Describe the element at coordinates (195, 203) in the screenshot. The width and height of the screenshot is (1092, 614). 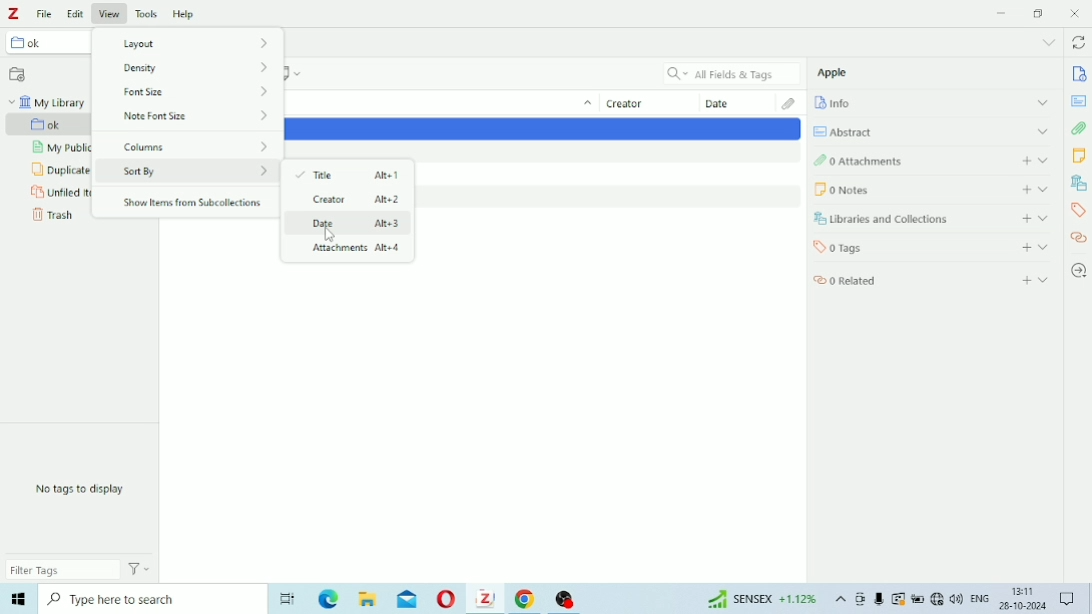
I see `‘Show items from Subcollections.` at that location.